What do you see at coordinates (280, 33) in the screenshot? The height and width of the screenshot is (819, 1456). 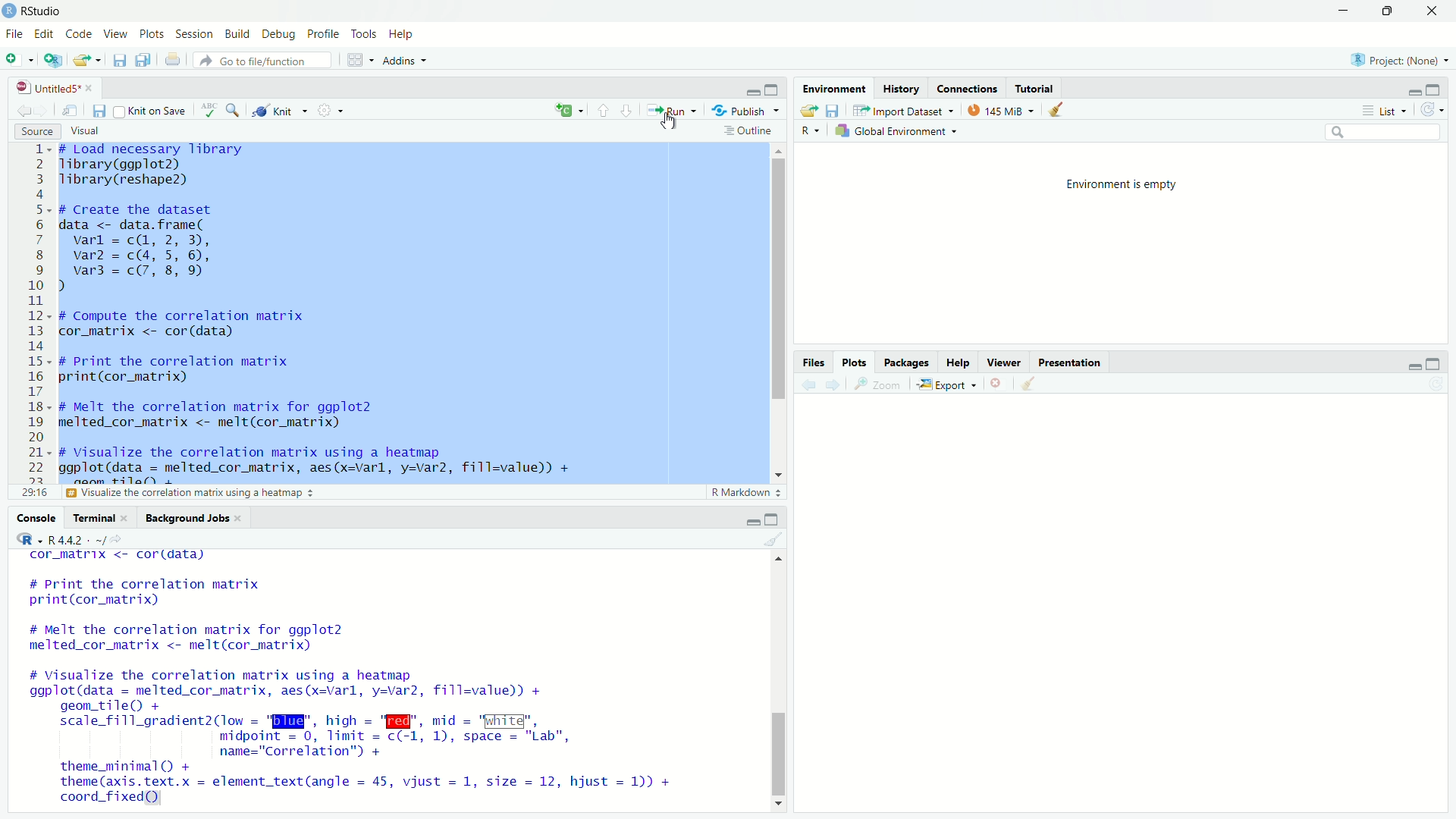 I see `debug` at bounding box center [280, 33].